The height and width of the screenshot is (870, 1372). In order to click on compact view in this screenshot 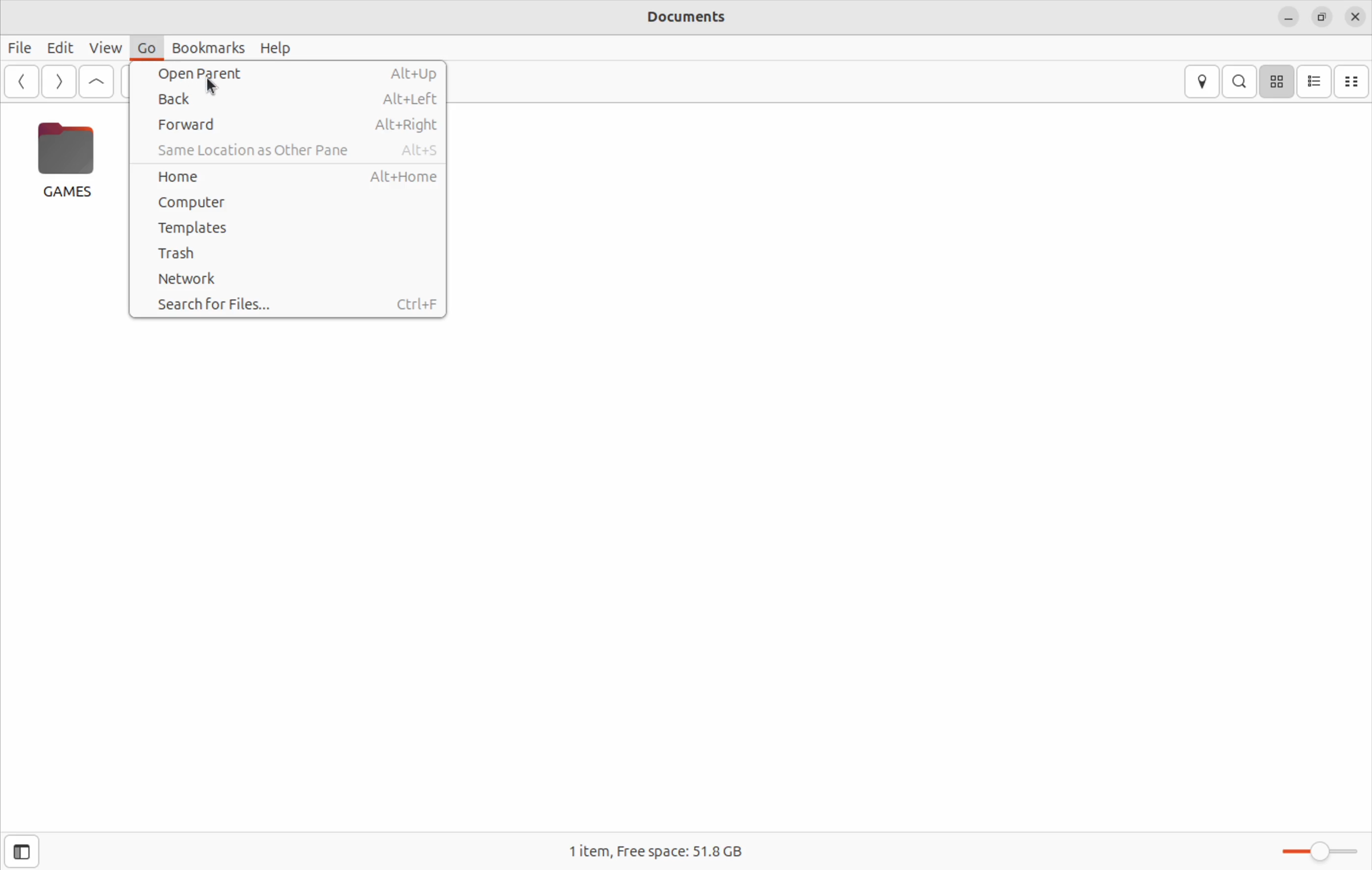, I will do `click(1354, 80)`.